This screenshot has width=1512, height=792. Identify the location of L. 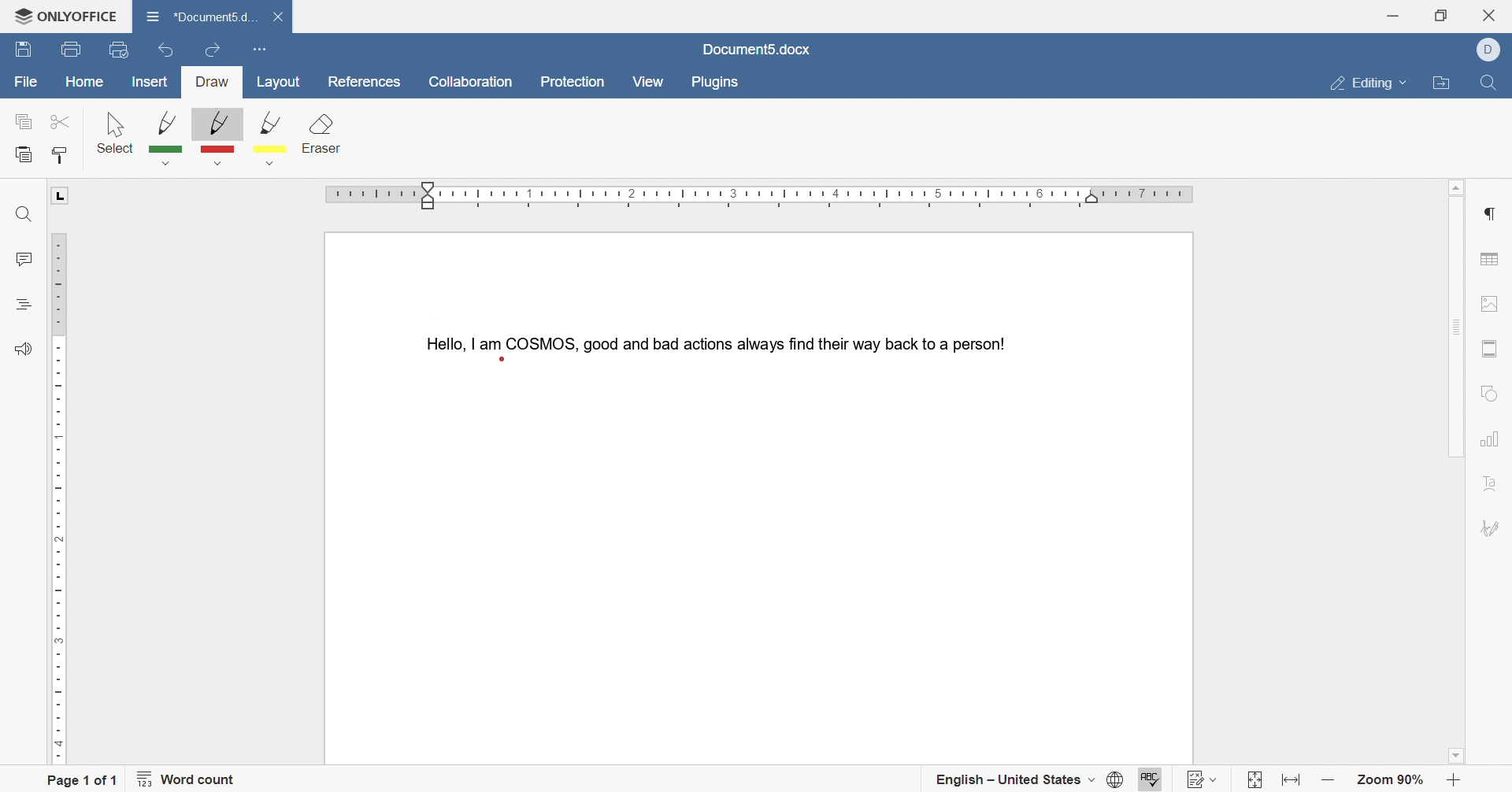
(61, 196).